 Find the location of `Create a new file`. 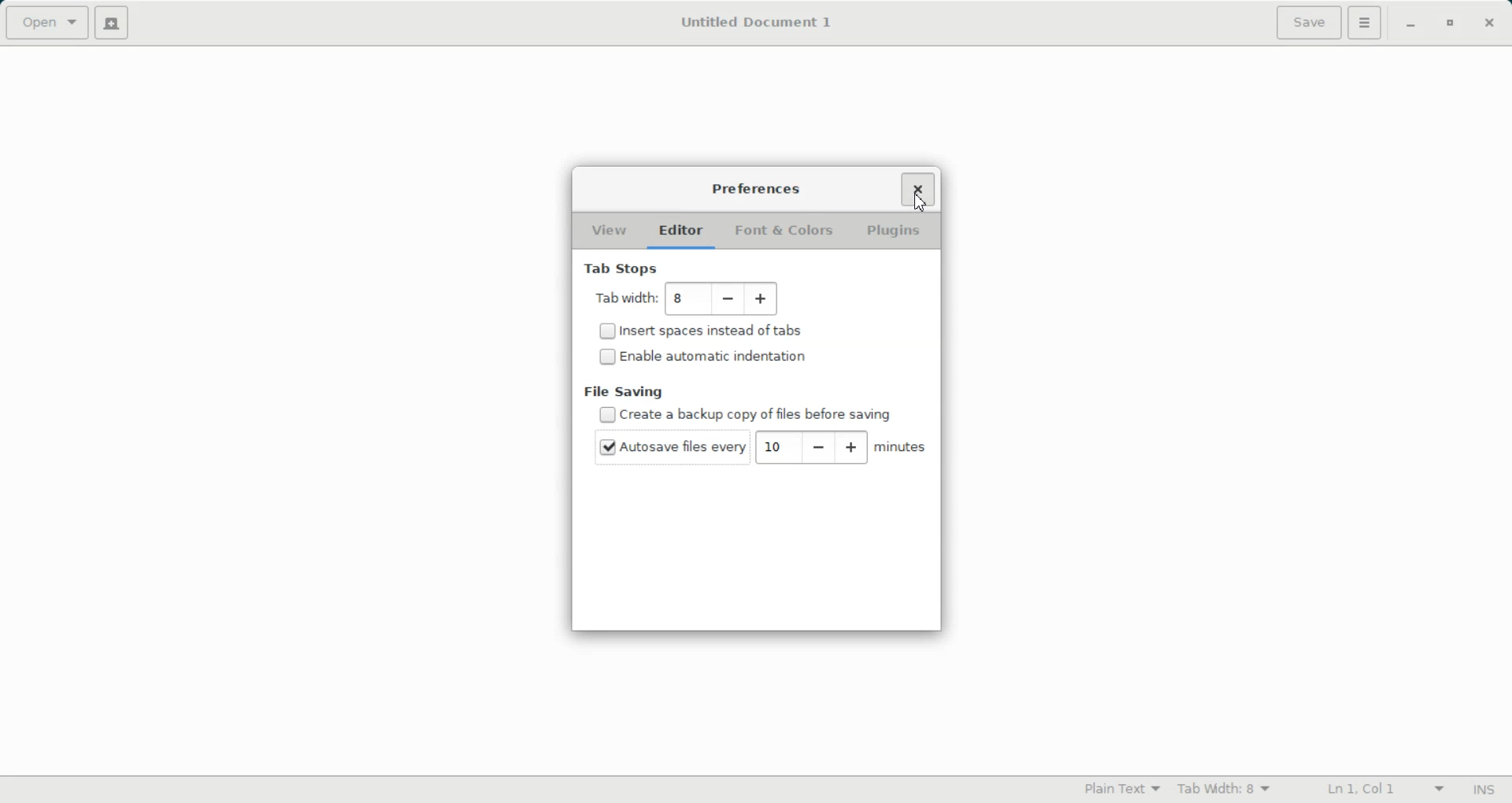

Create a new file is located at coordinates (111, 23).